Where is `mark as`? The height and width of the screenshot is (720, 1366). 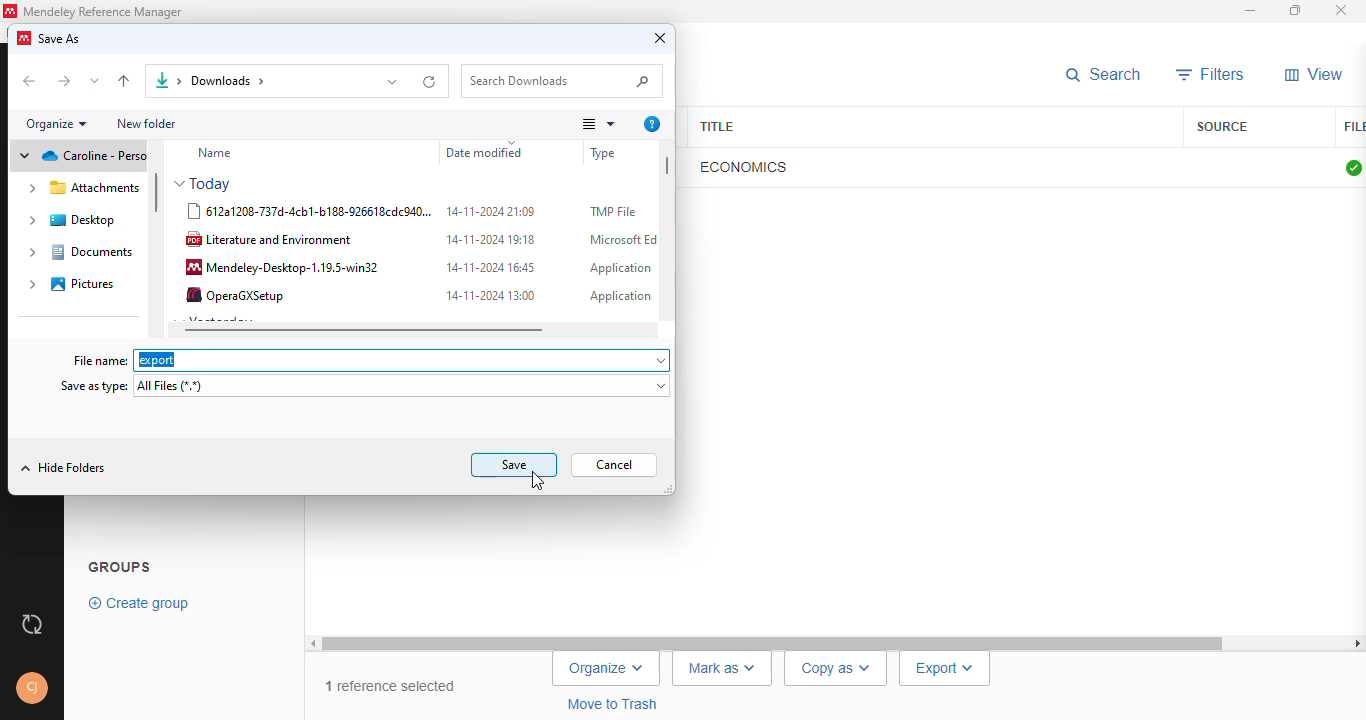 mark as is located at coordinates (723, 669).